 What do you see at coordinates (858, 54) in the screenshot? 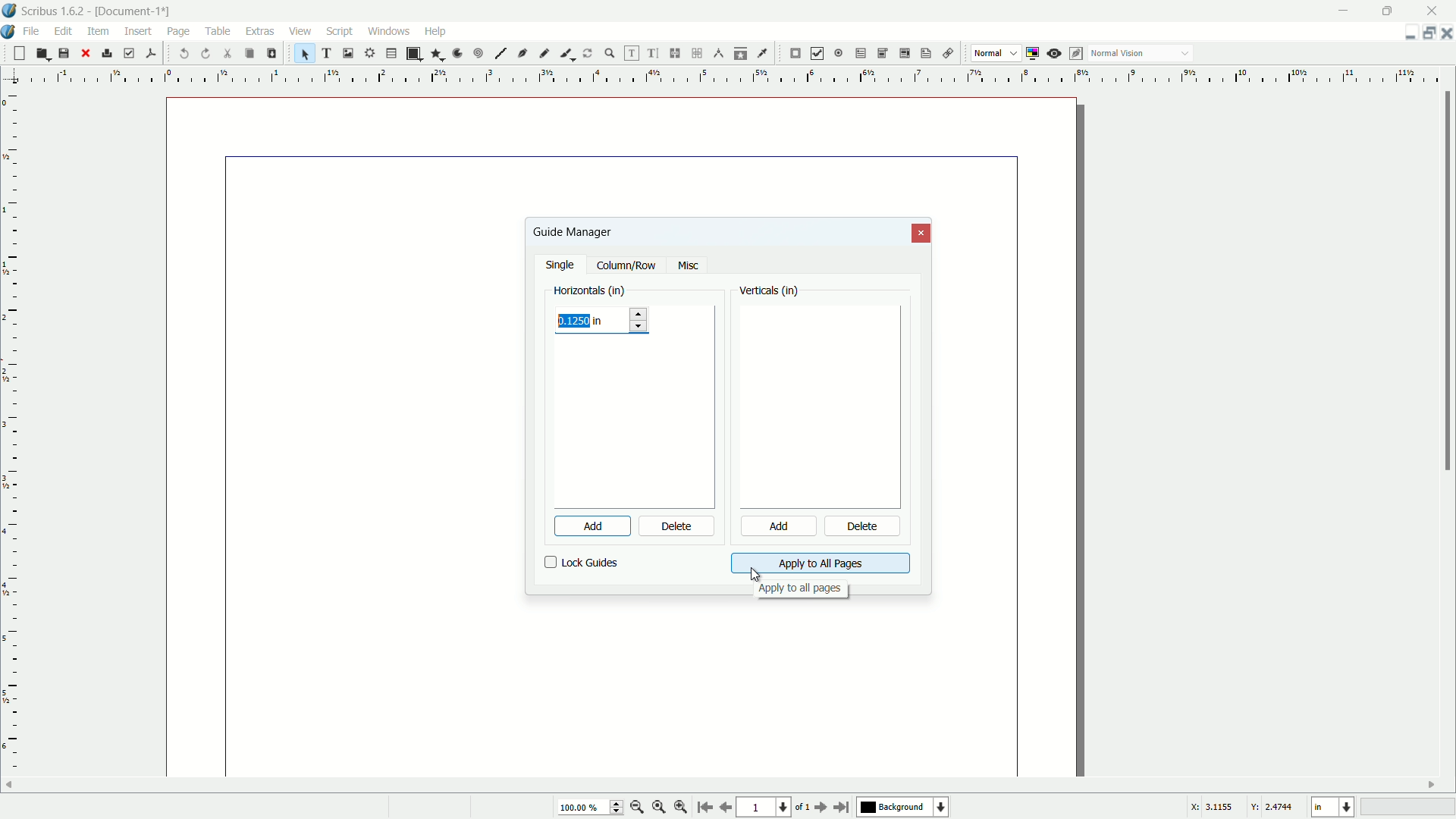
I see `pdf text field` at bounding box center [858, 54].